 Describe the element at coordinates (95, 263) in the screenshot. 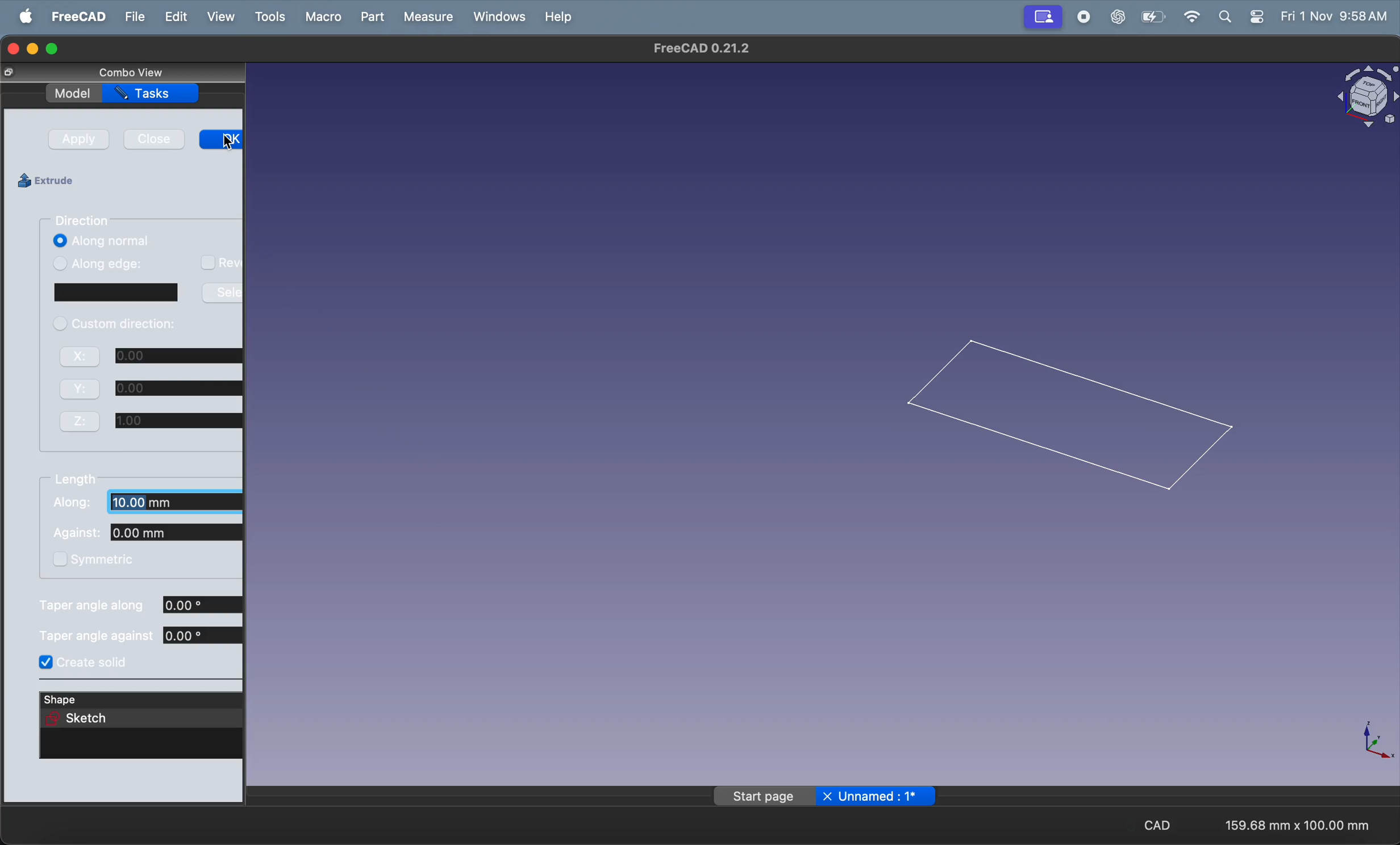

I see `along edge` at that location.